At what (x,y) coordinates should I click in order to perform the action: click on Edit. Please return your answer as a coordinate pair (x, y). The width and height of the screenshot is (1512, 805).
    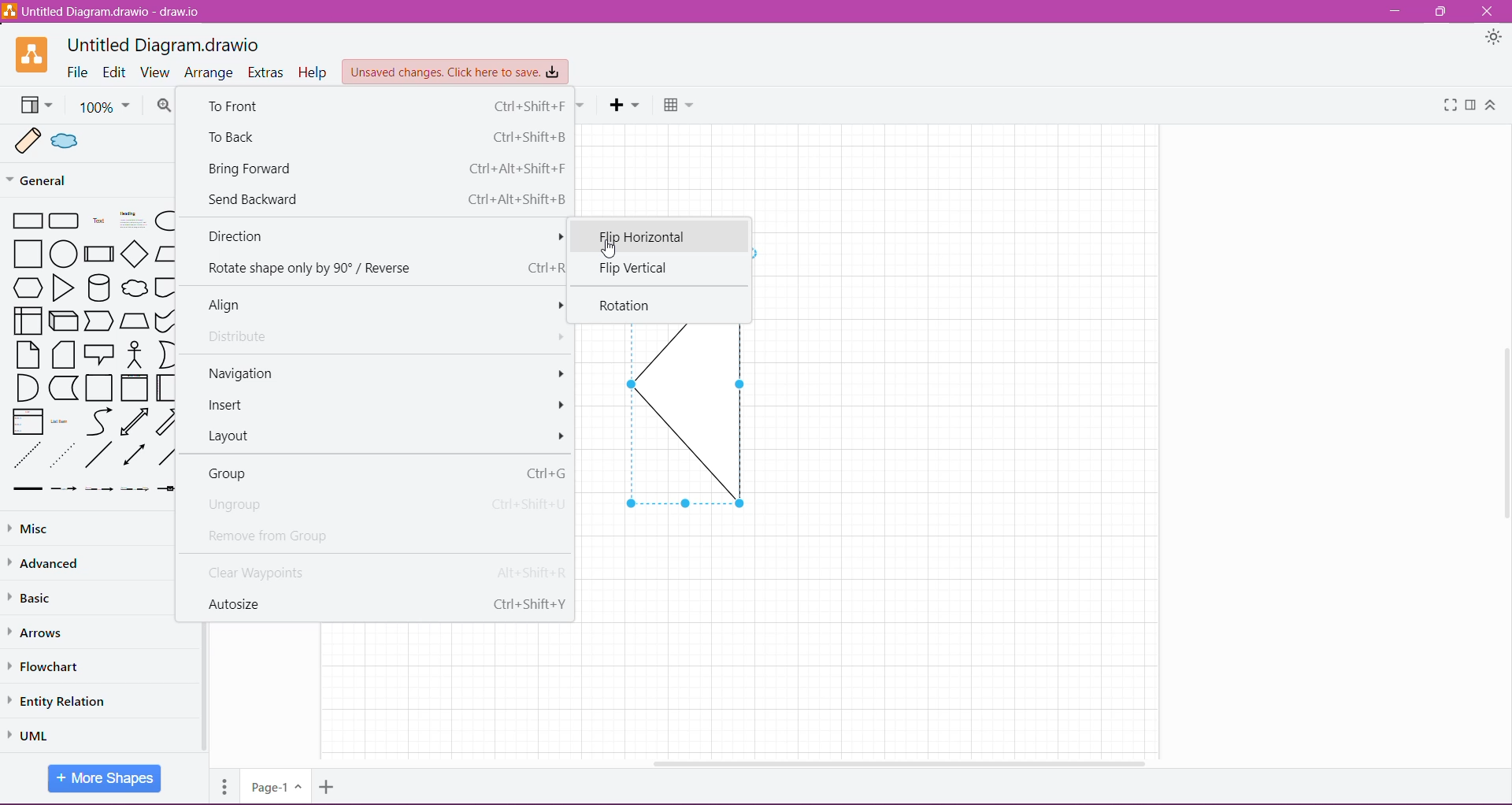
    Looking at the image, I should click on (115, 72).